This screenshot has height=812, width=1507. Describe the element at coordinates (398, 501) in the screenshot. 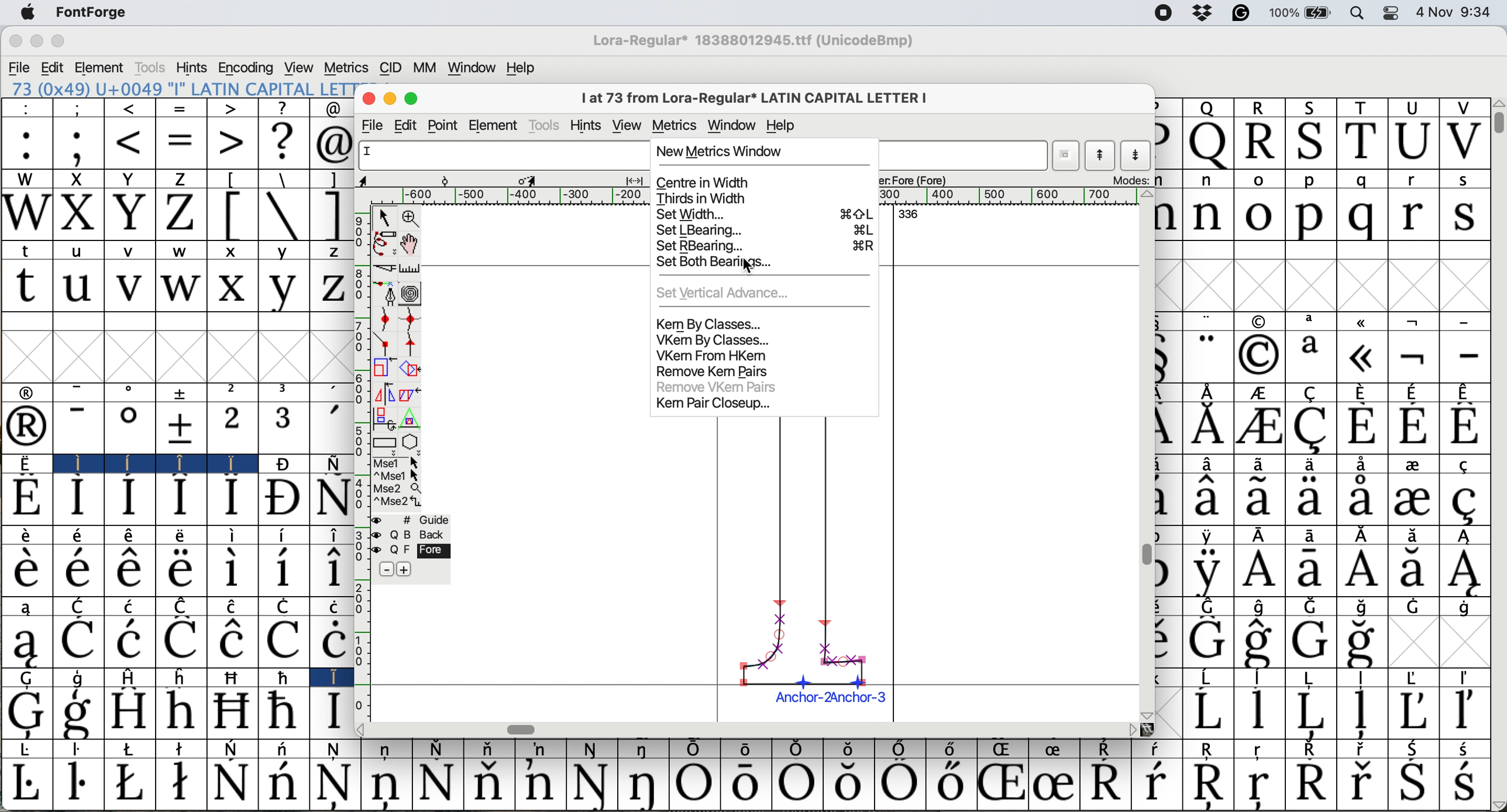

I see `Mse 2^` at that location.